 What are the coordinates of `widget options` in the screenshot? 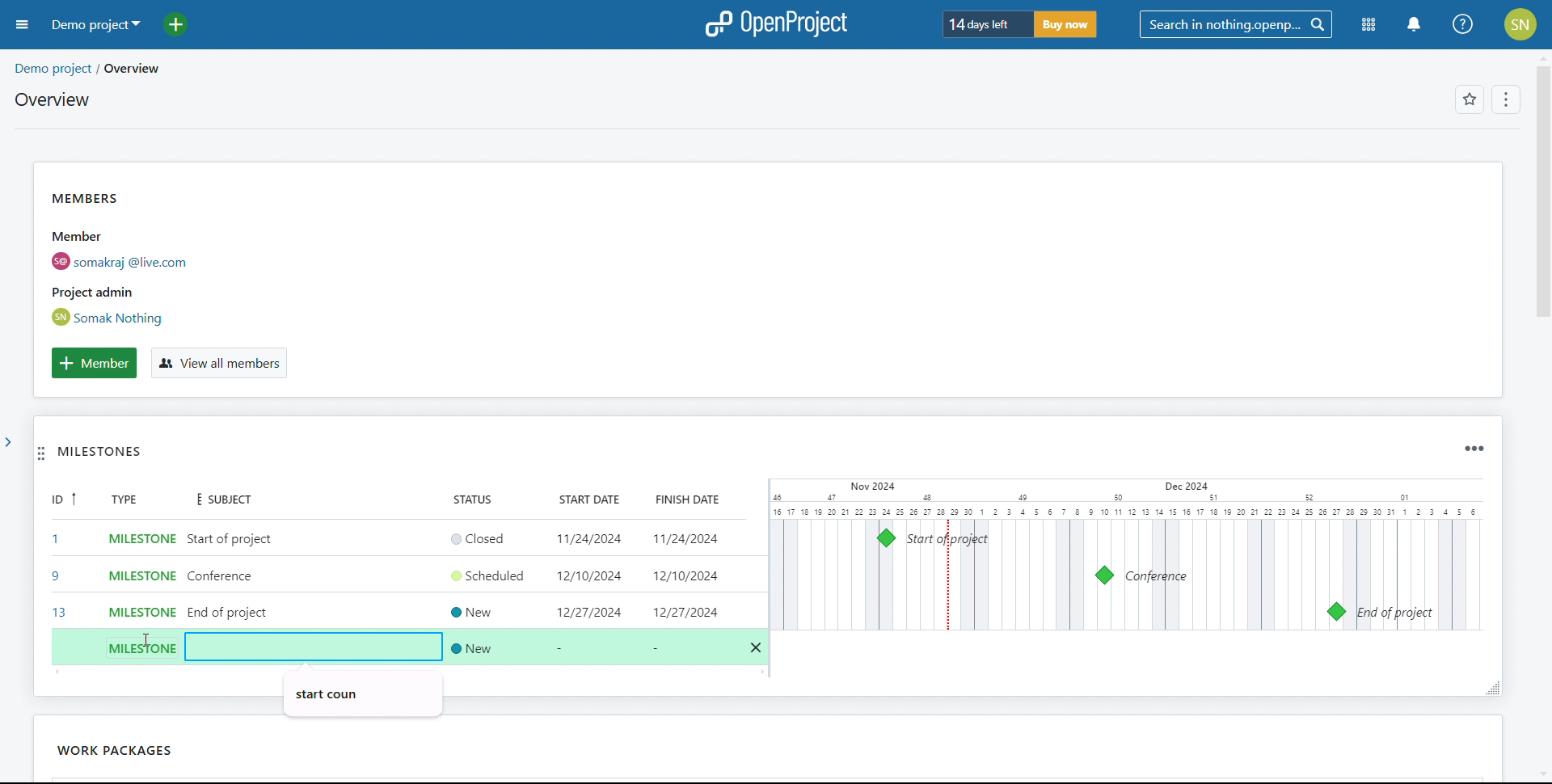 It's located at (1472, 449).